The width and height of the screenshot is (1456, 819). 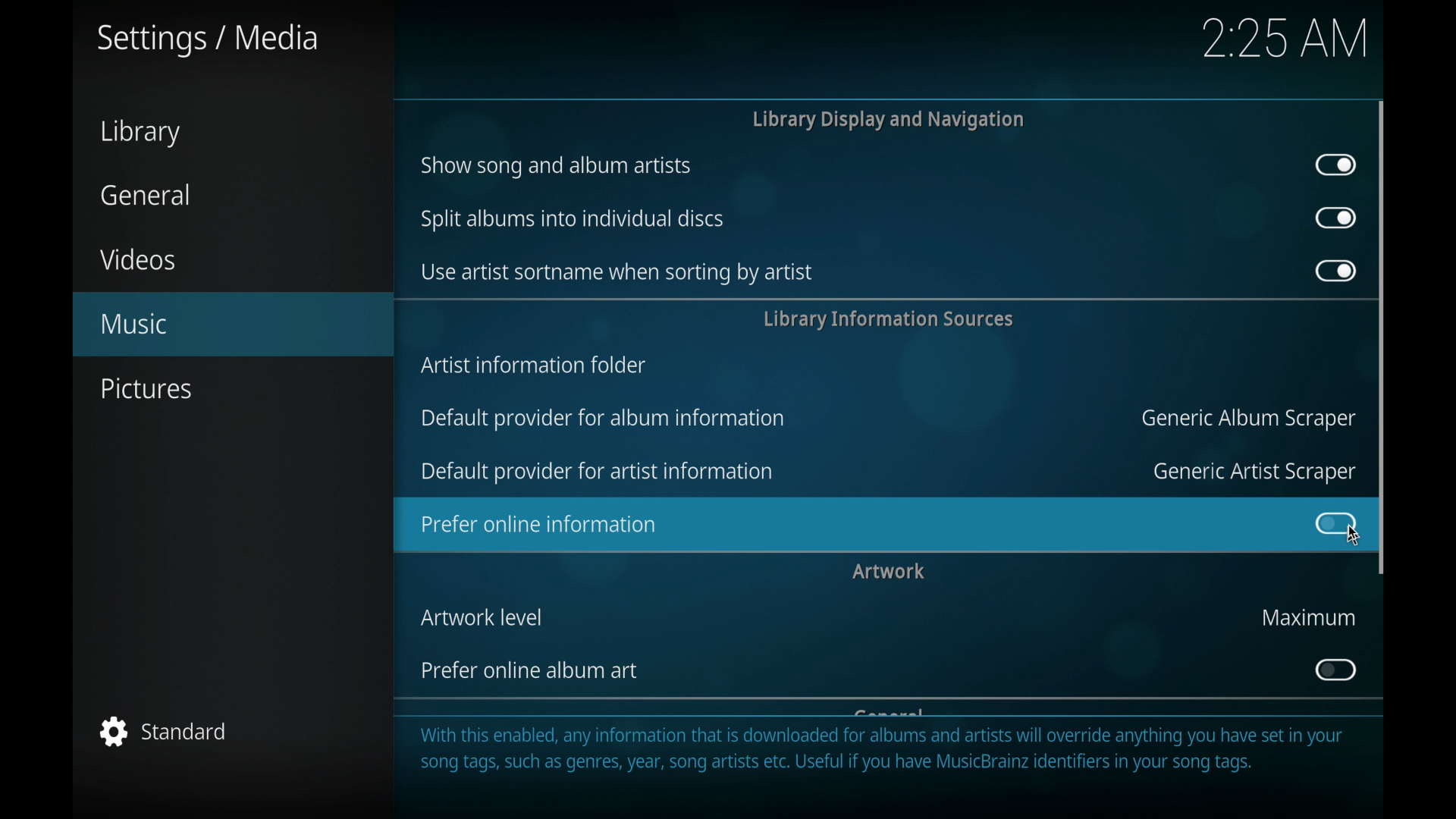 I want to click on show song and album artists, so click(x=557, y=168).